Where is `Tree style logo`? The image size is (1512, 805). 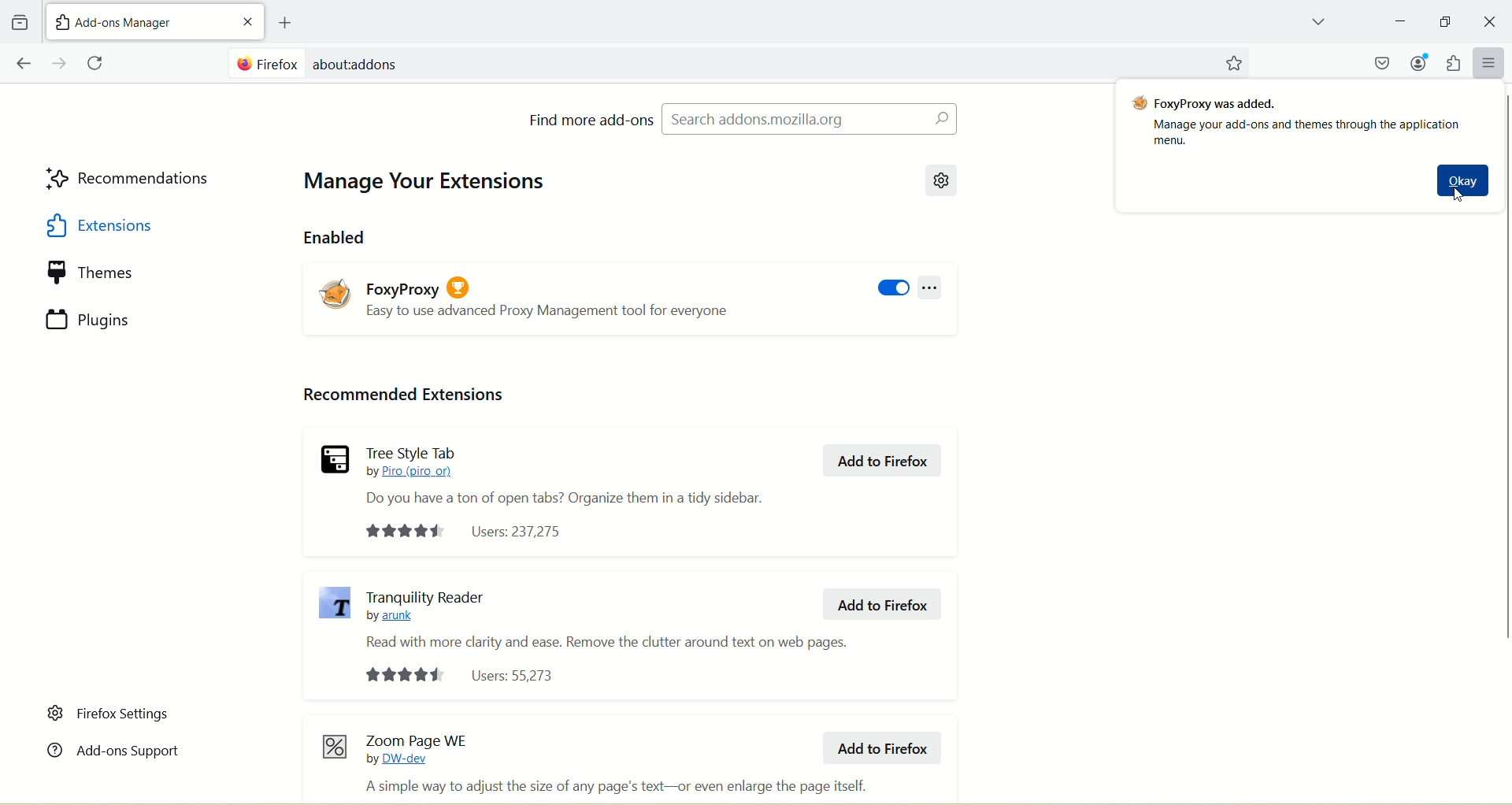 Tree style logo is located at coordinates (334, 458).